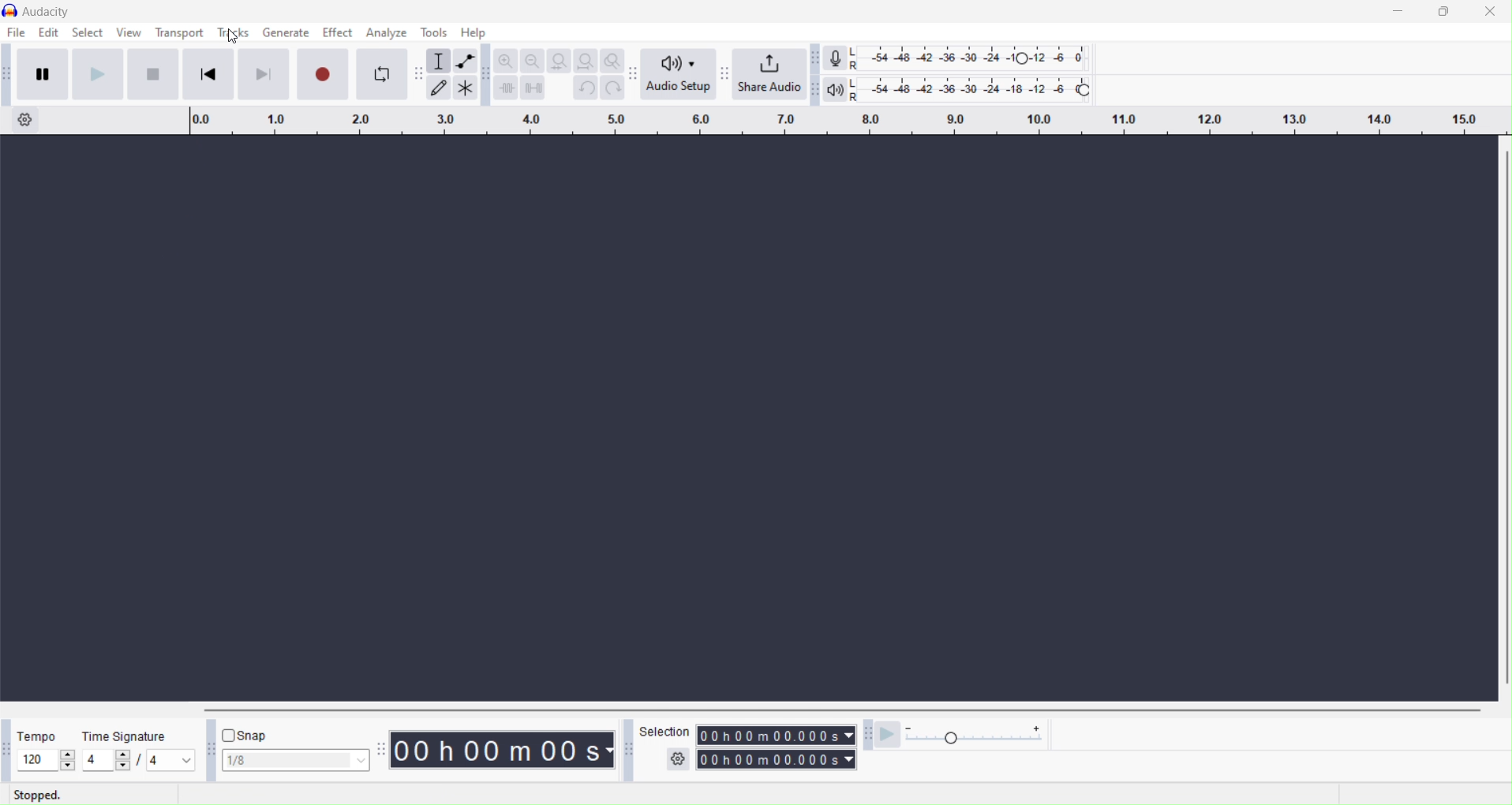 The image size is (1512, 805). What do you see at coordinates (462, 87) in the screenshot?
I see `Multi tool` at bounding box center [462, 87].